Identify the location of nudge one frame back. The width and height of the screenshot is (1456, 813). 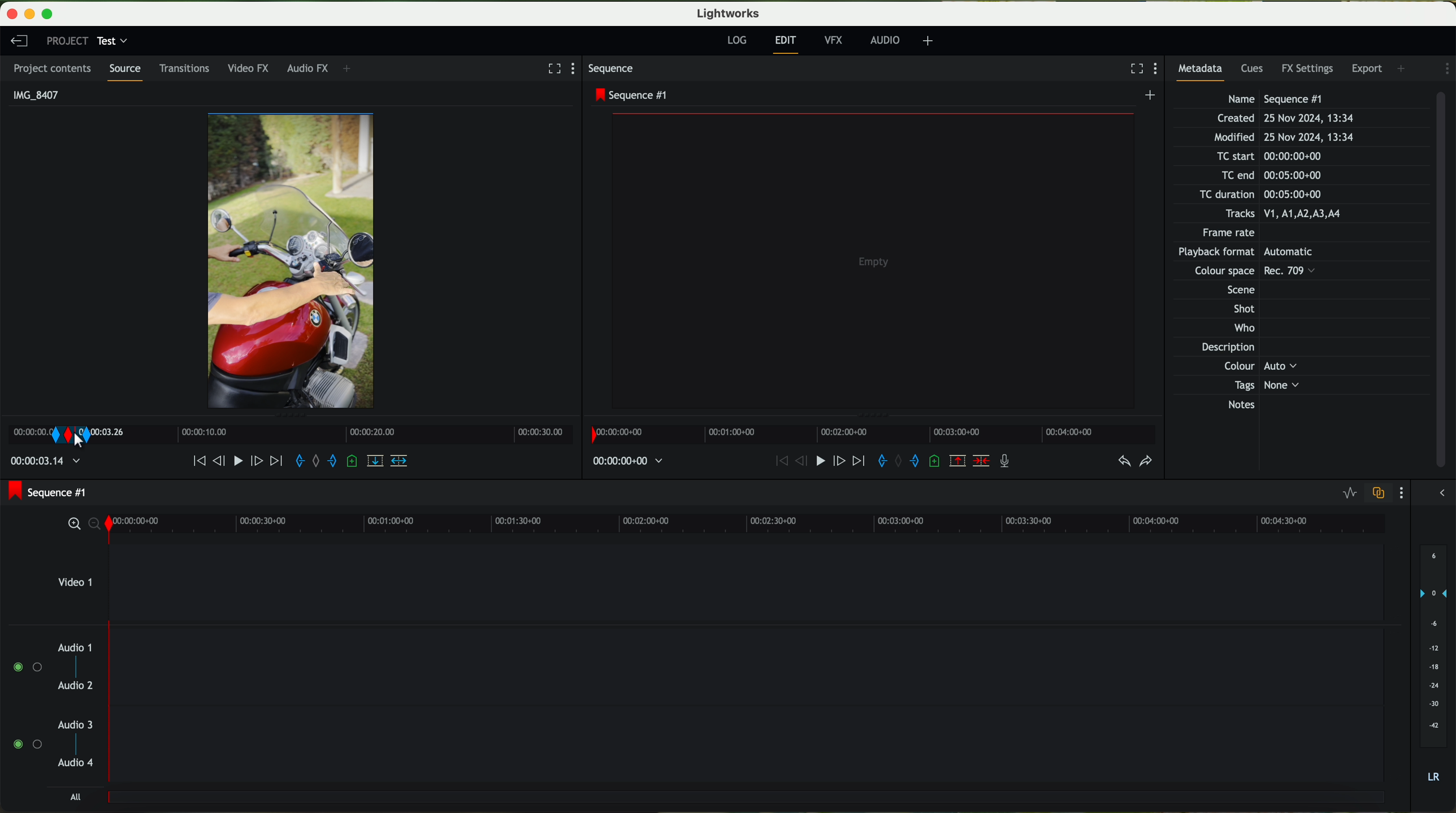
(221, 460).